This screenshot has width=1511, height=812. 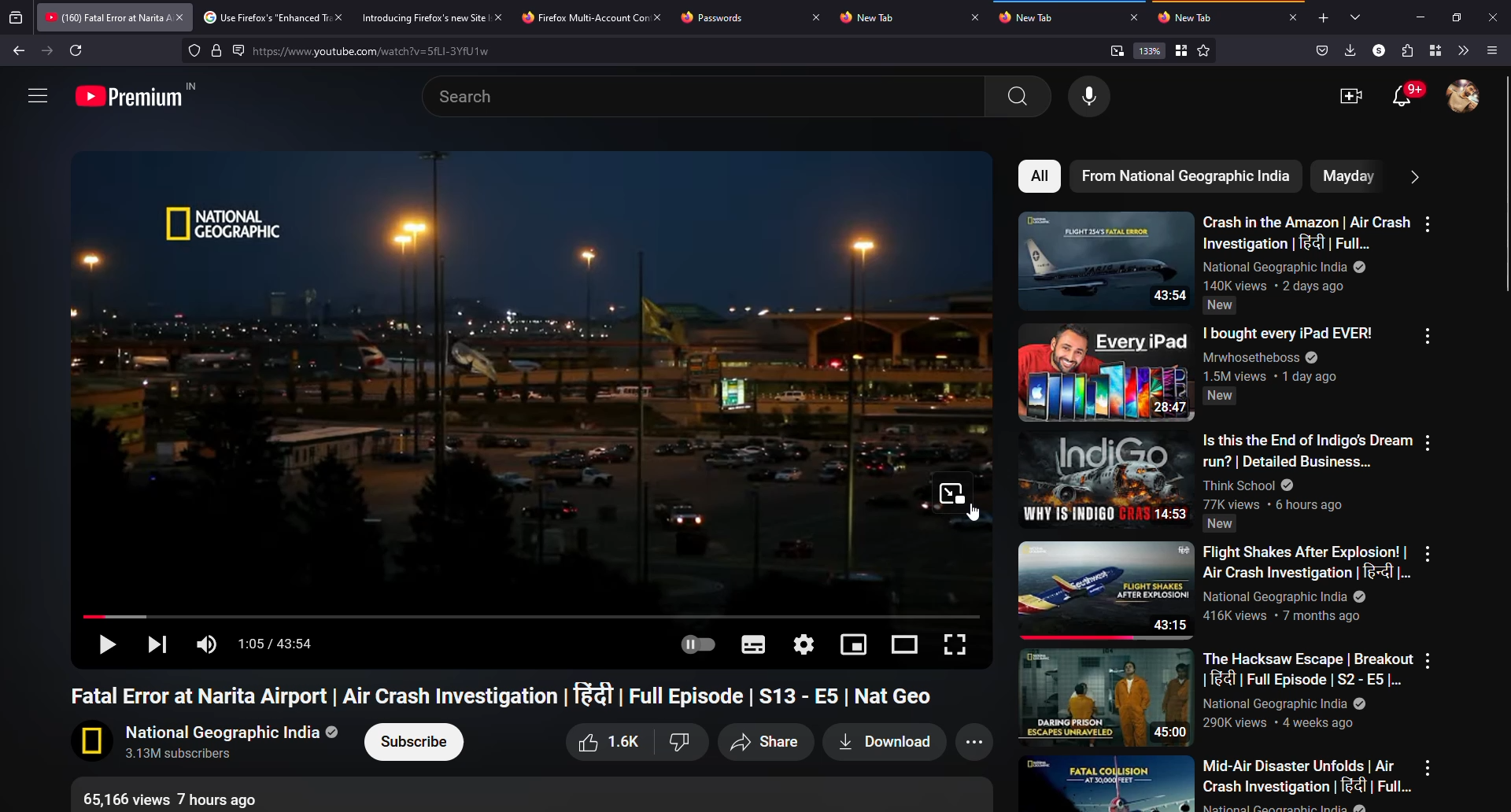 I want to click on bookmark, so click(x=1181, y=50).